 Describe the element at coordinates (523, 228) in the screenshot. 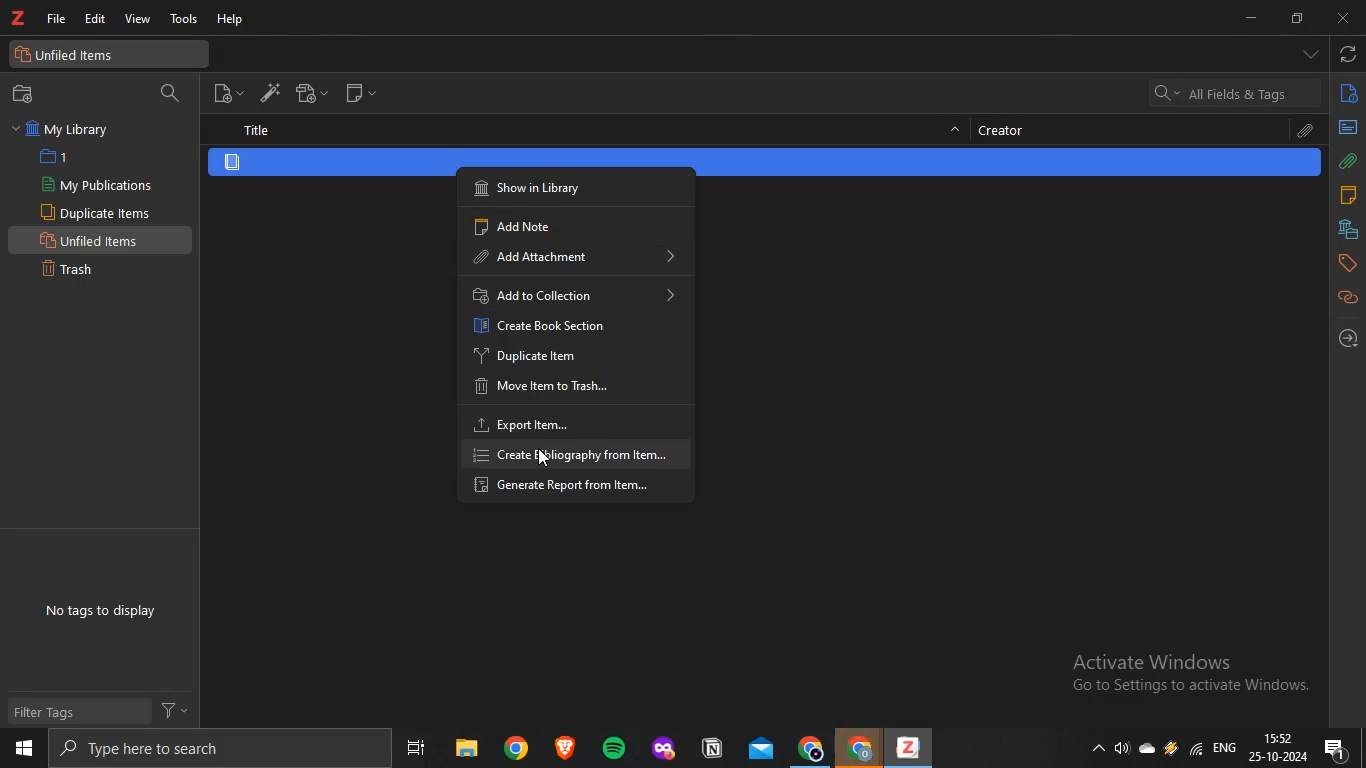

I see `‘Add Note` at that location.